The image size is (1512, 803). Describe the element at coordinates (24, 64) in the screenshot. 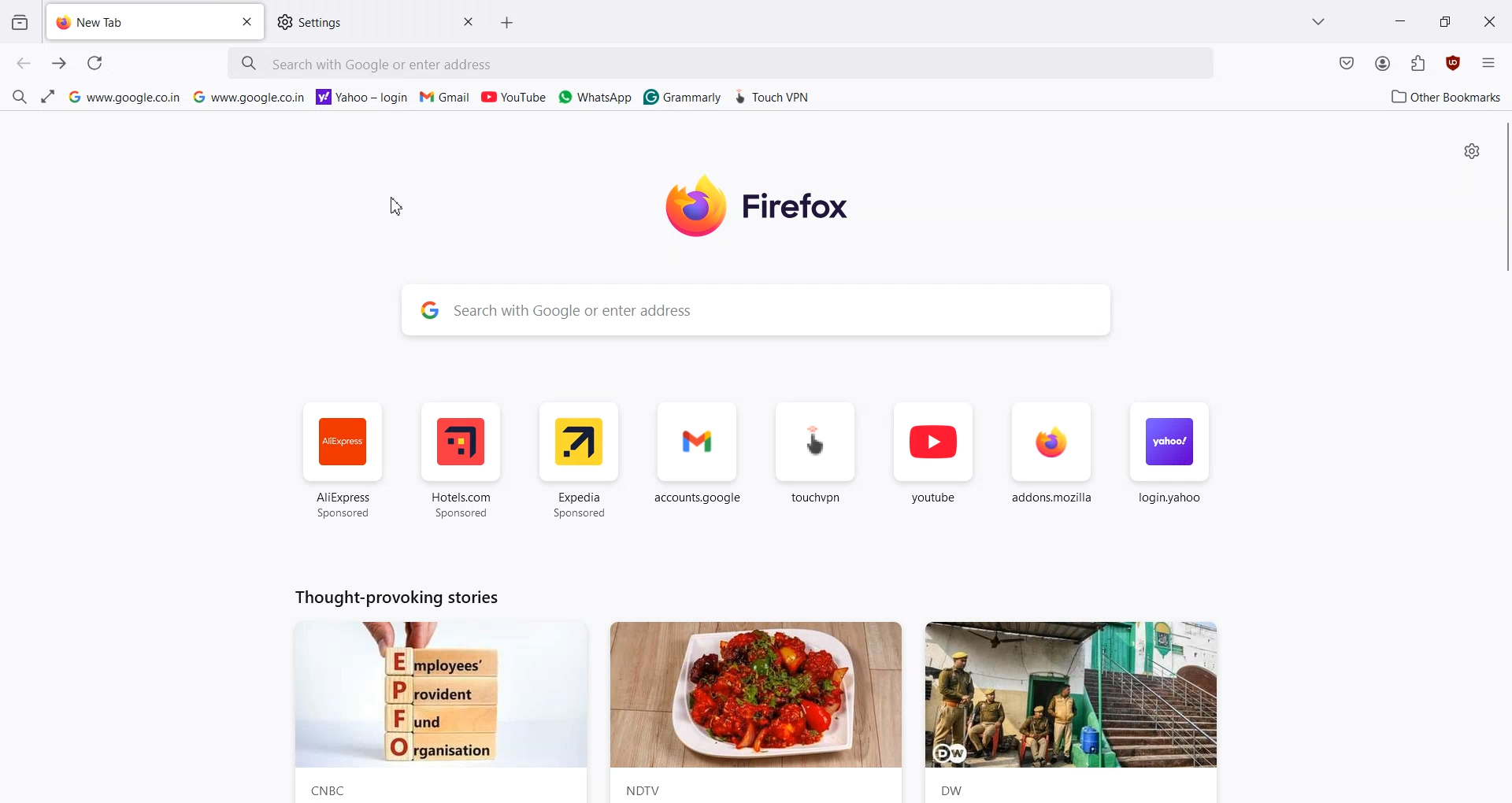

I see `Go back to one page ` at that location.